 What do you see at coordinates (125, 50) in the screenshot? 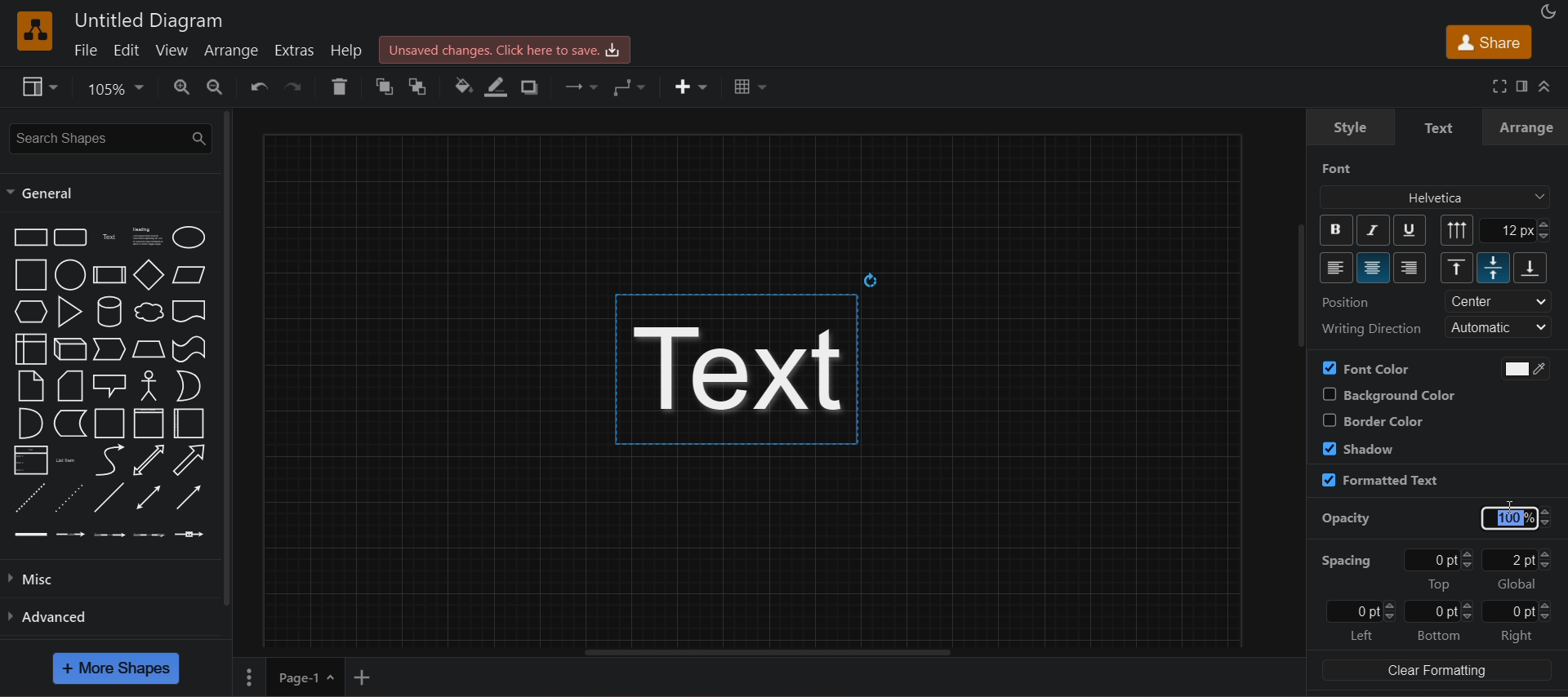
I see `edit` at bounding box center [125, 50].